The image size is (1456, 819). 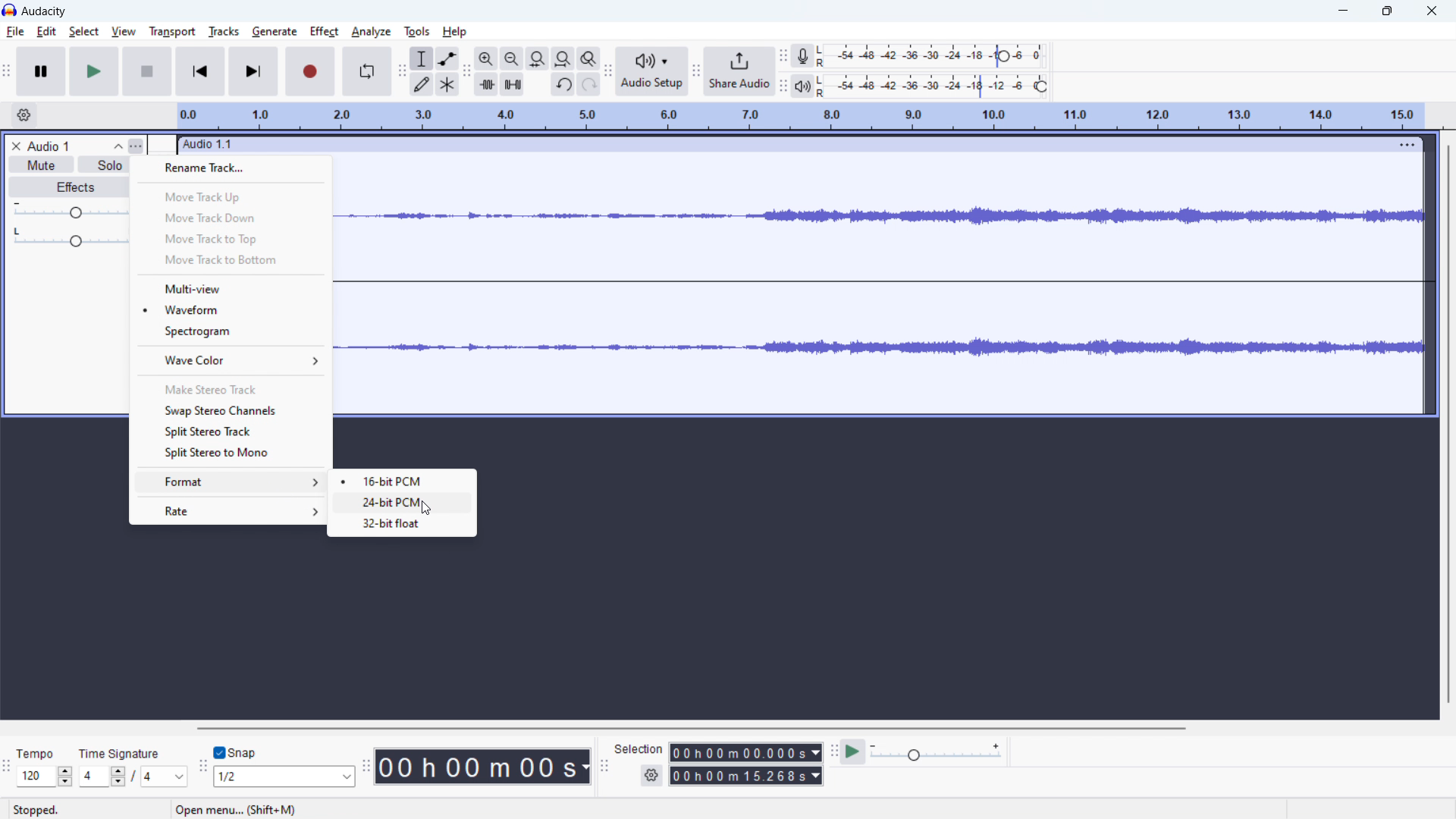 What do you see at coordinates (6, 767) in the screenshot?
I see `time signature toolbar` at bounding box center [6, 767].